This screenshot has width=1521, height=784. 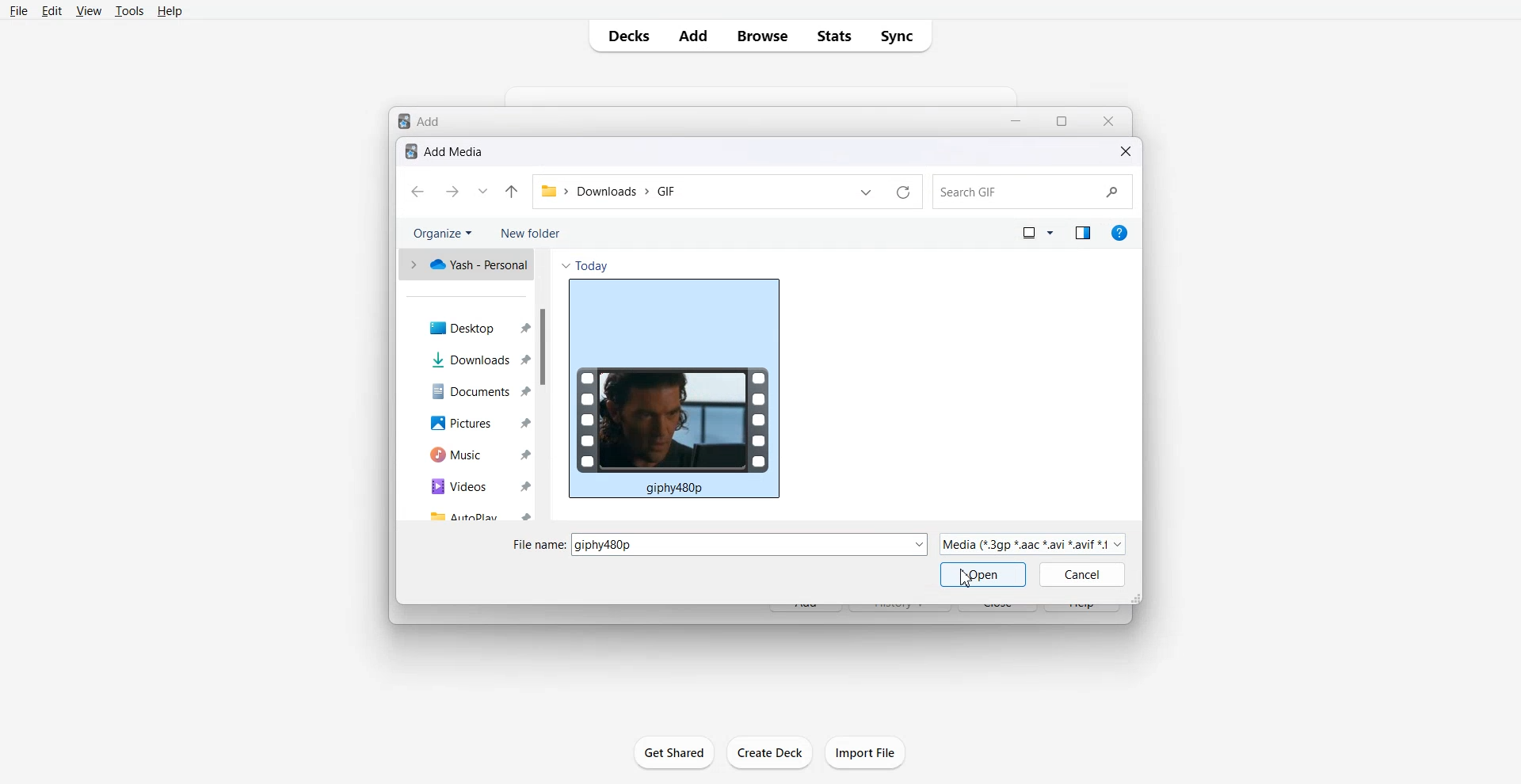 What do you see at coordinates (471, 392) in the screenshot?
I see `Documents` at bounding box center [471, 392].